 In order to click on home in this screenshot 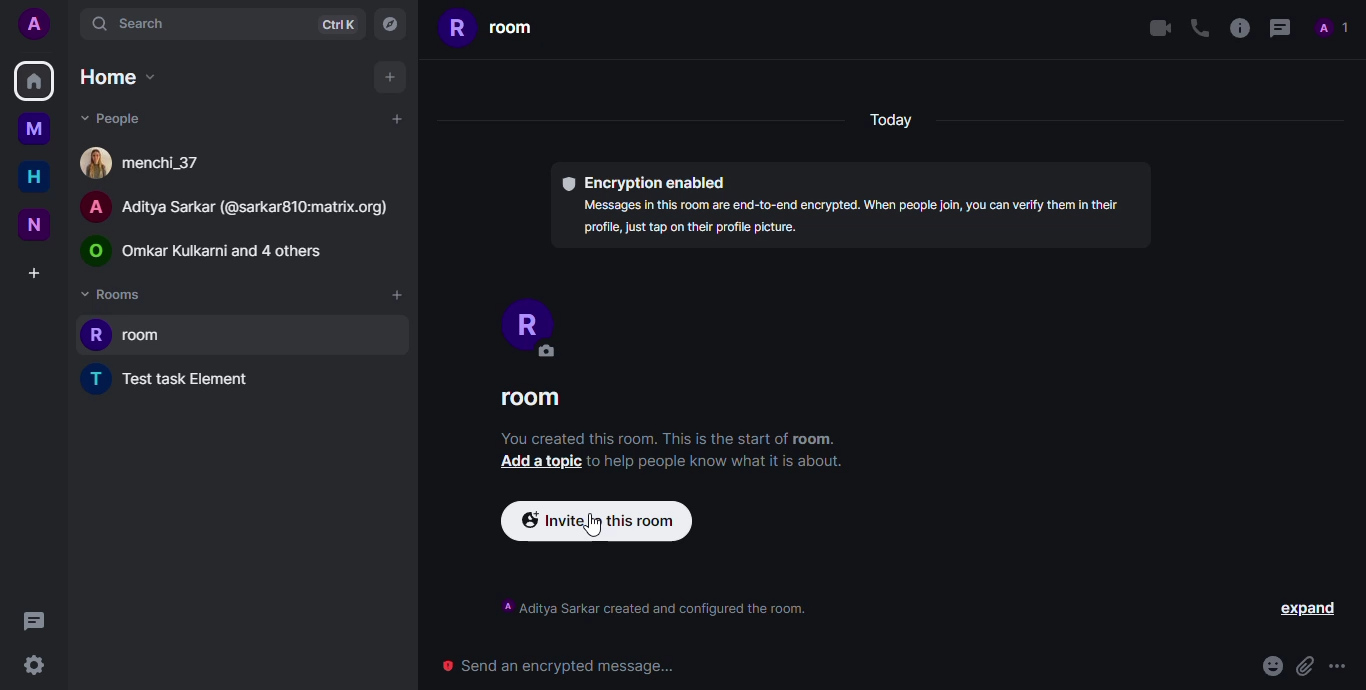, I will do `click(34, 177)`.